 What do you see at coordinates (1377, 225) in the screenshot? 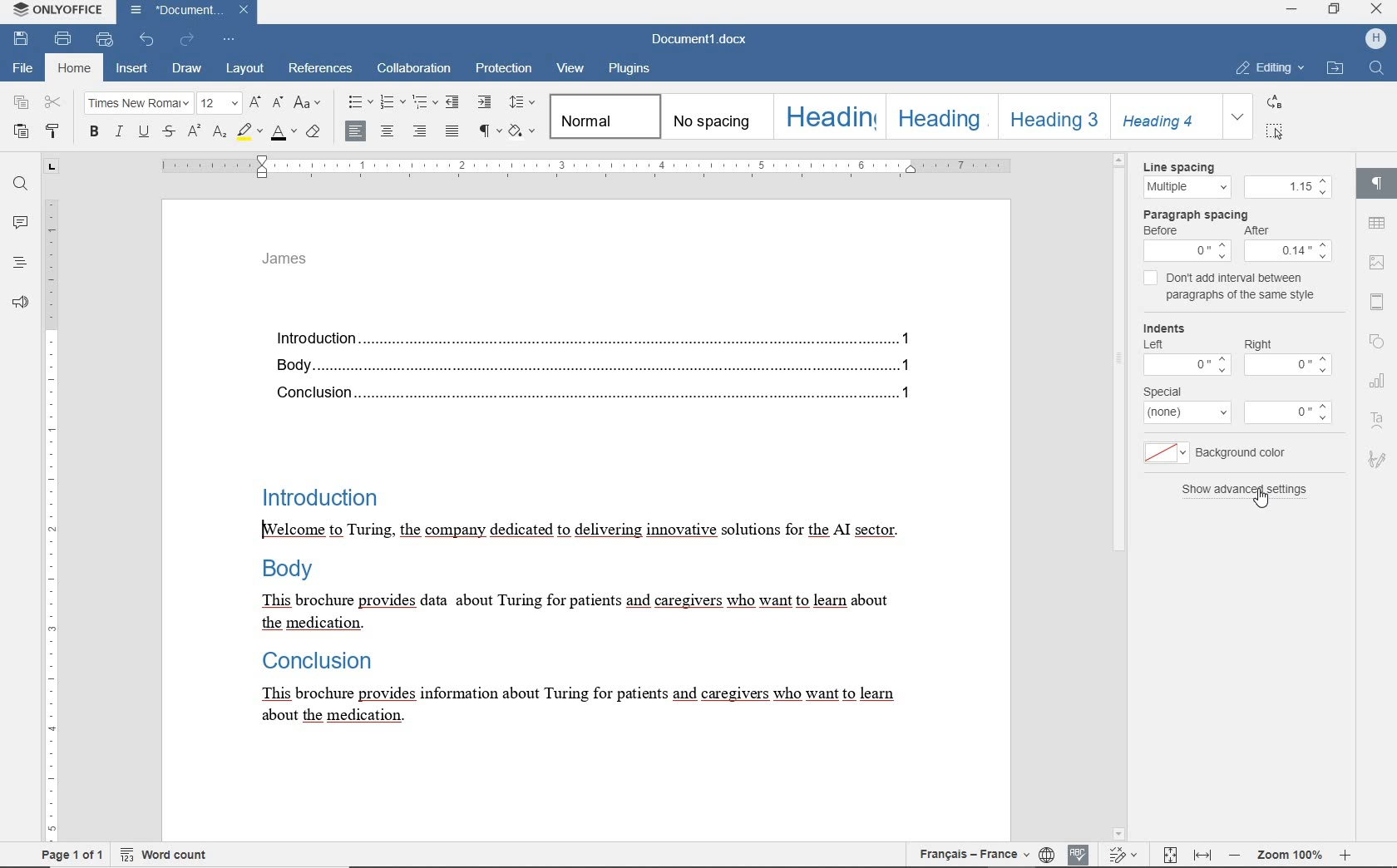
I see `table` at bounding box center [1377, 225].